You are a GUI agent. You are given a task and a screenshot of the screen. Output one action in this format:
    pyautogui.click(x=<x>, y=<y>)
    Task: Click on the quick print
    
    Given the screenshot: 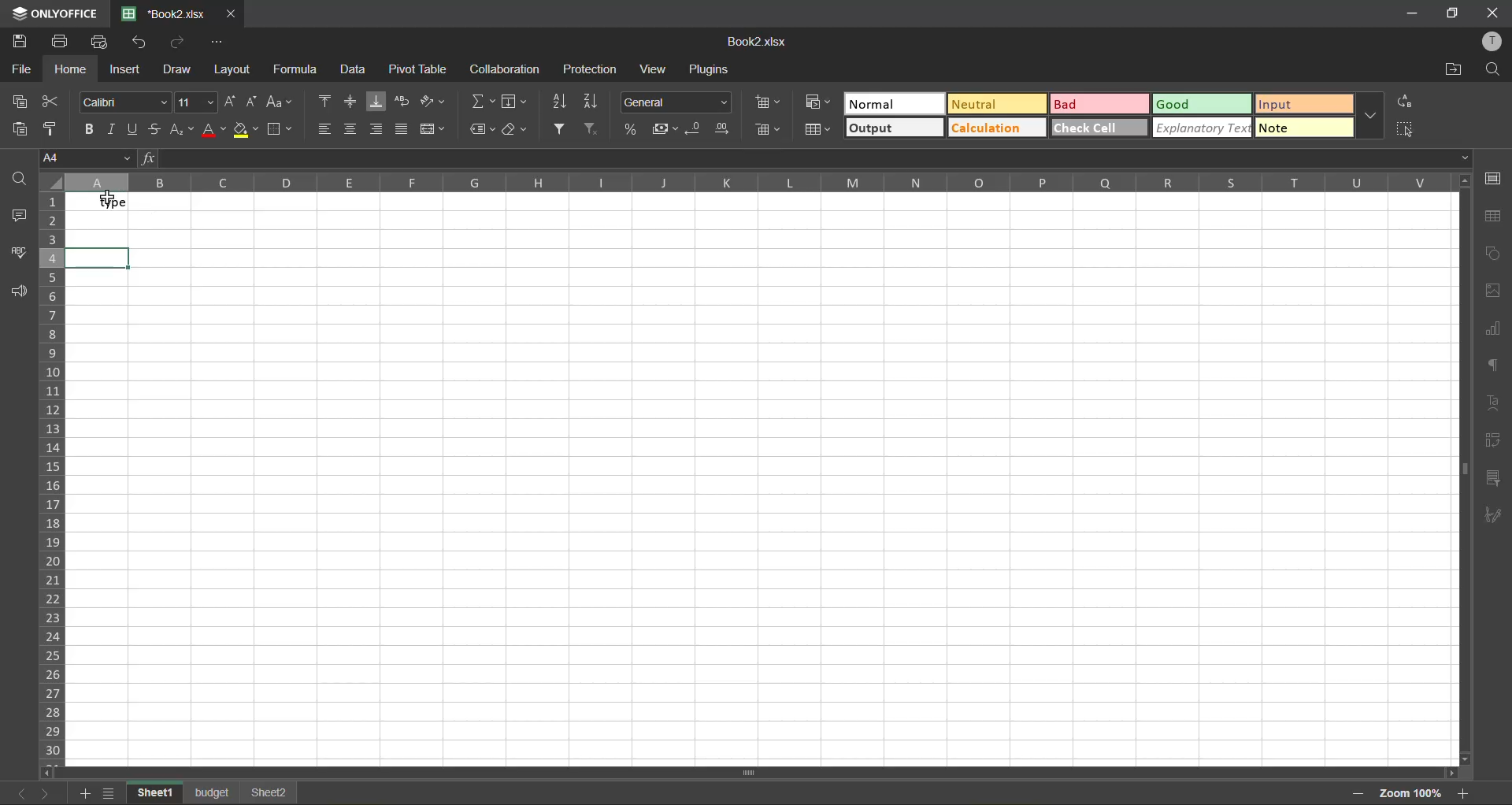 What is the action you would take?
    pyautogui.click(x=100, y=42)
    